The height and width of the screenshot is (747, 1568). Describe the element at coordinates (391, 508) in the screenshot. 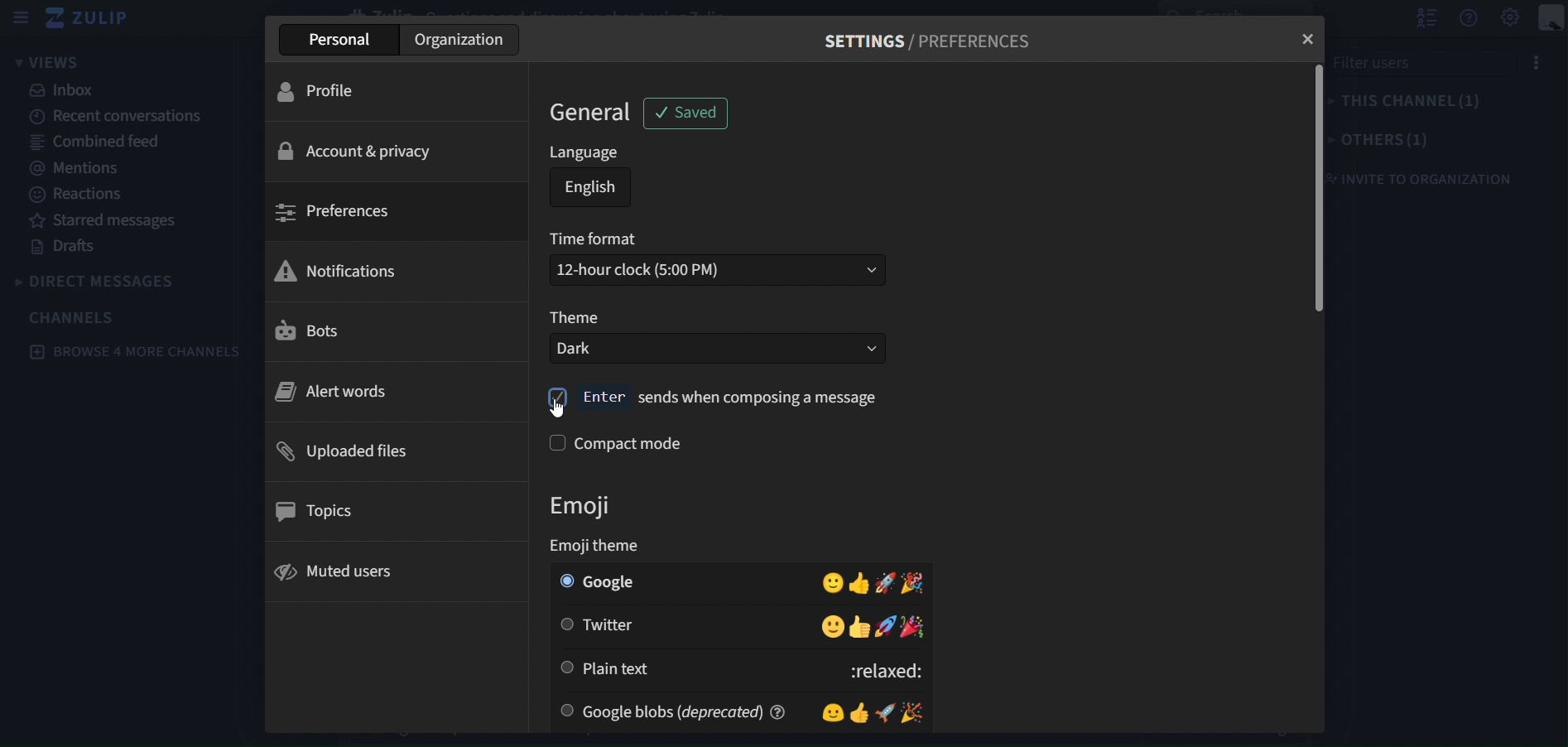

I see `topics` at that location.